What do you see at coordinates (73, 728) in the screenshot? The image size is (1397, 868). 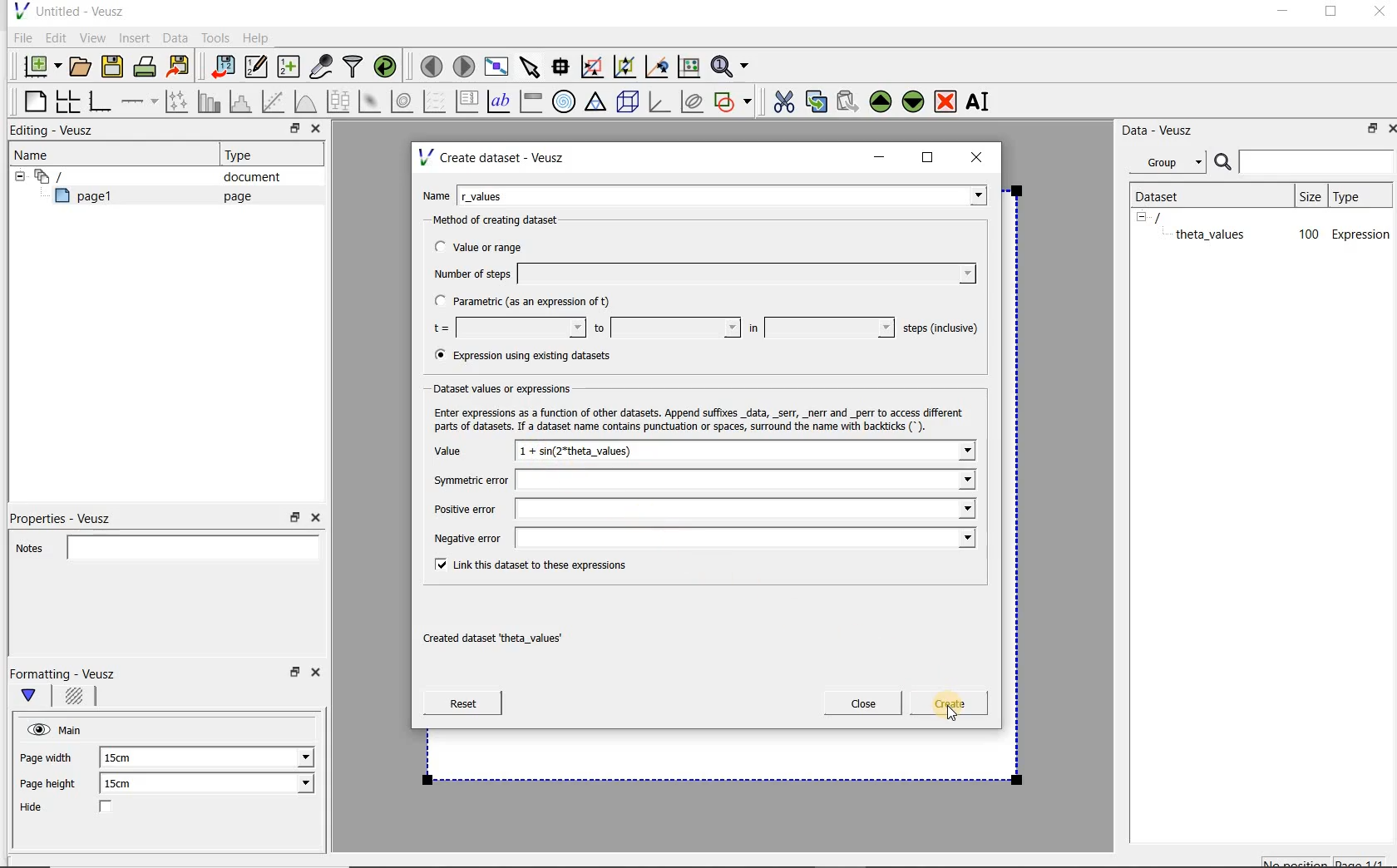 I see `Main` at bounding box center [73, 728].